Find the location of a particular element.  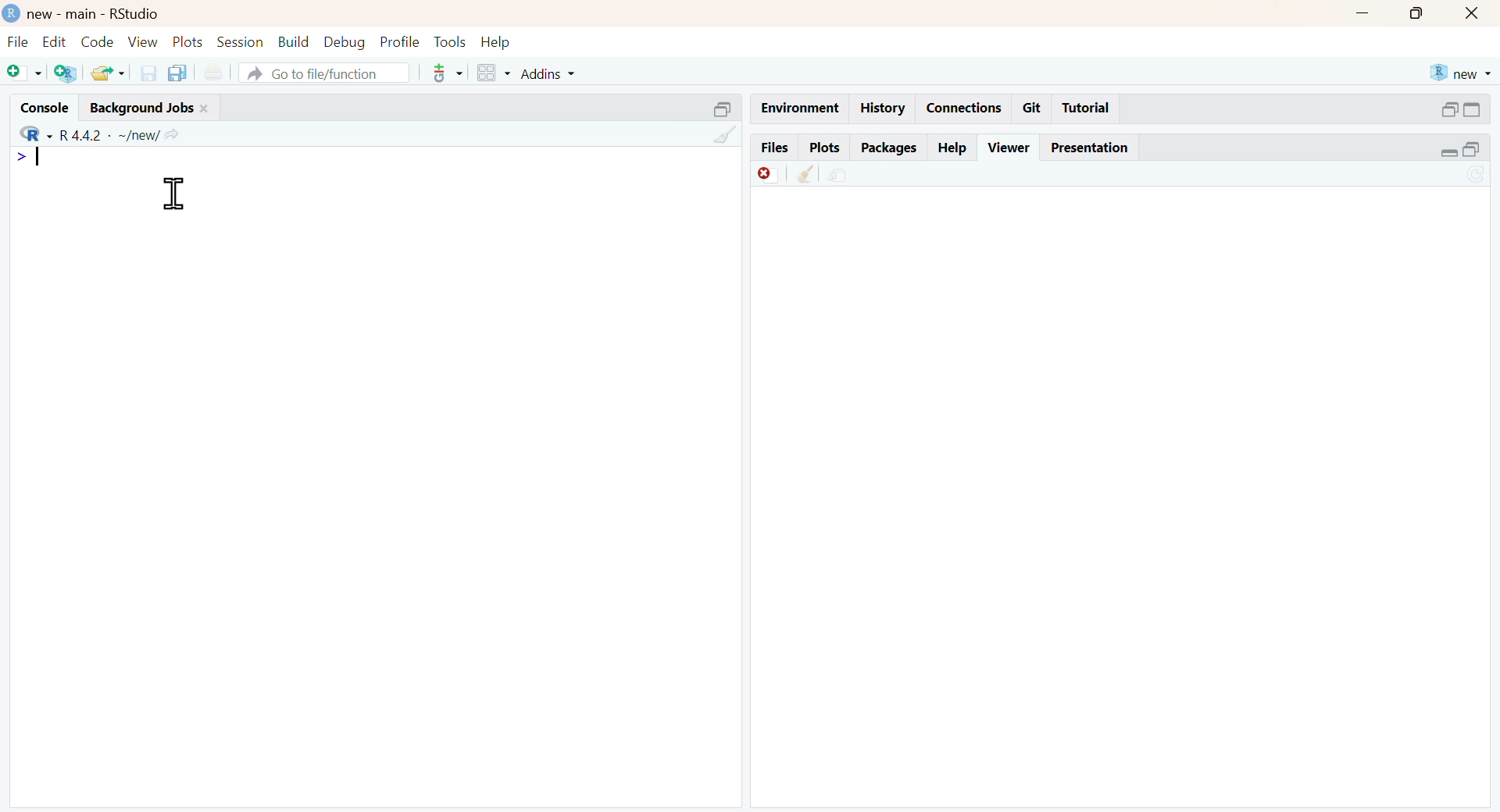

expand/collapse is located at coordinates (1472, 109).